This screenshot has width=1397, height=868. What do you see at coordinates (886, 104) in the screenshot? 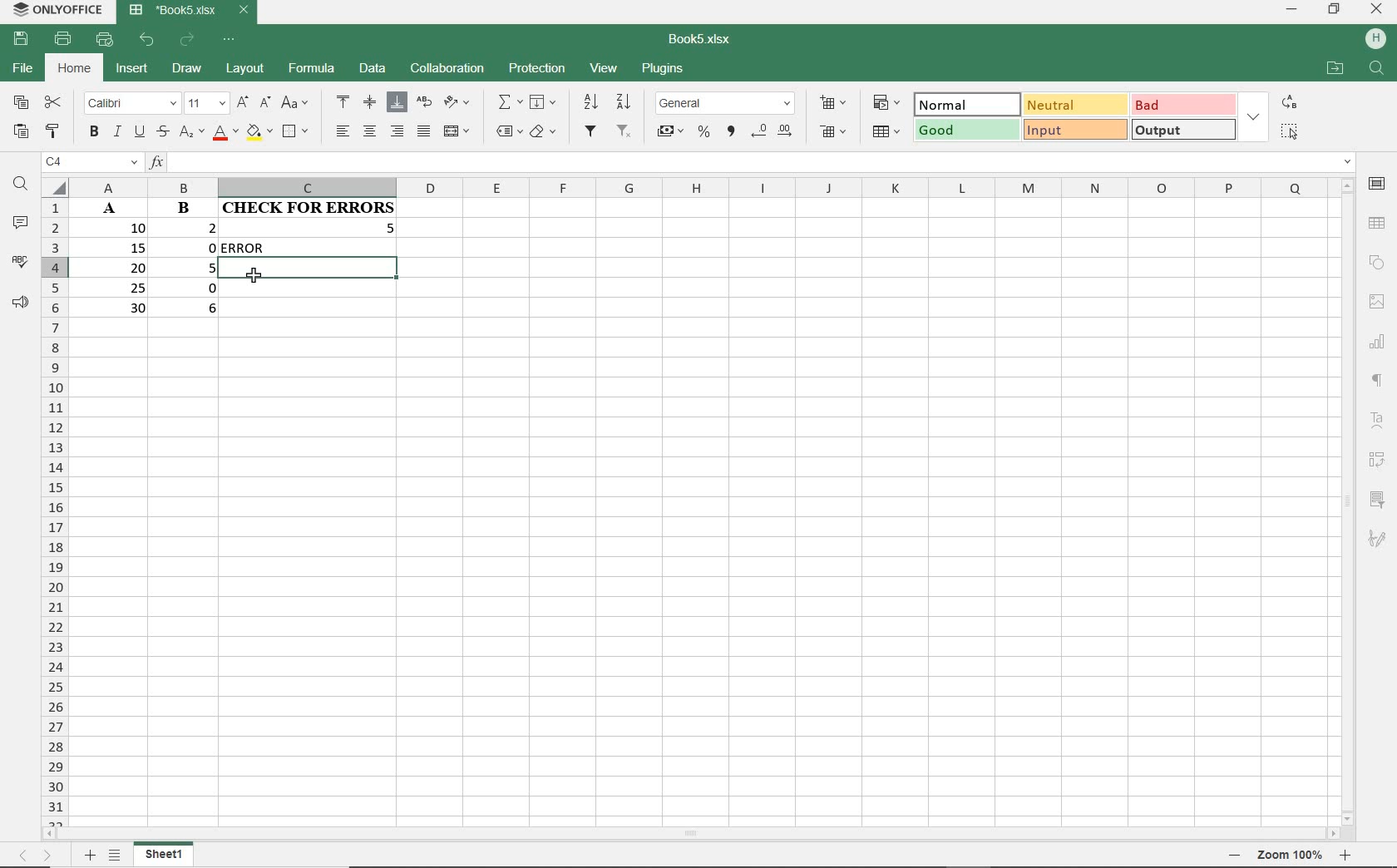
I see `CONDITIONAL FORMATTING` at bounding box center [886, 104].